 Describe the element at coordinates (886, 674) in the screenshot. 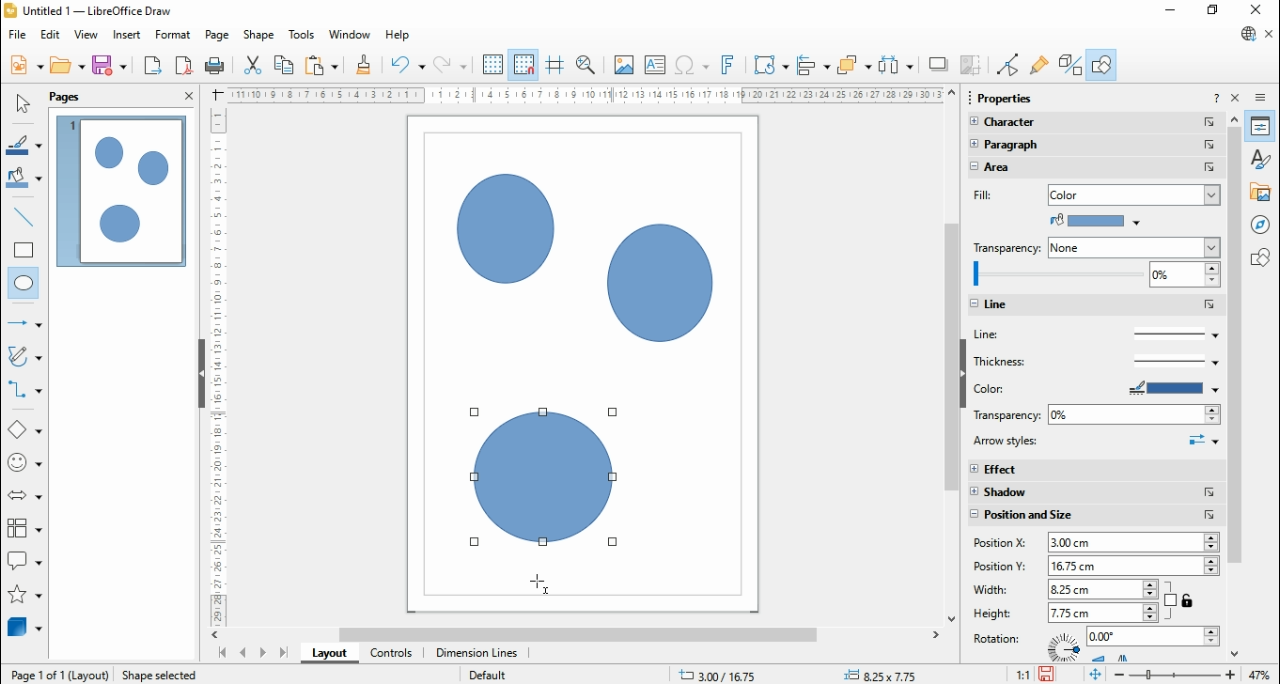

I see `+= 0,00x 0.00` at that location.